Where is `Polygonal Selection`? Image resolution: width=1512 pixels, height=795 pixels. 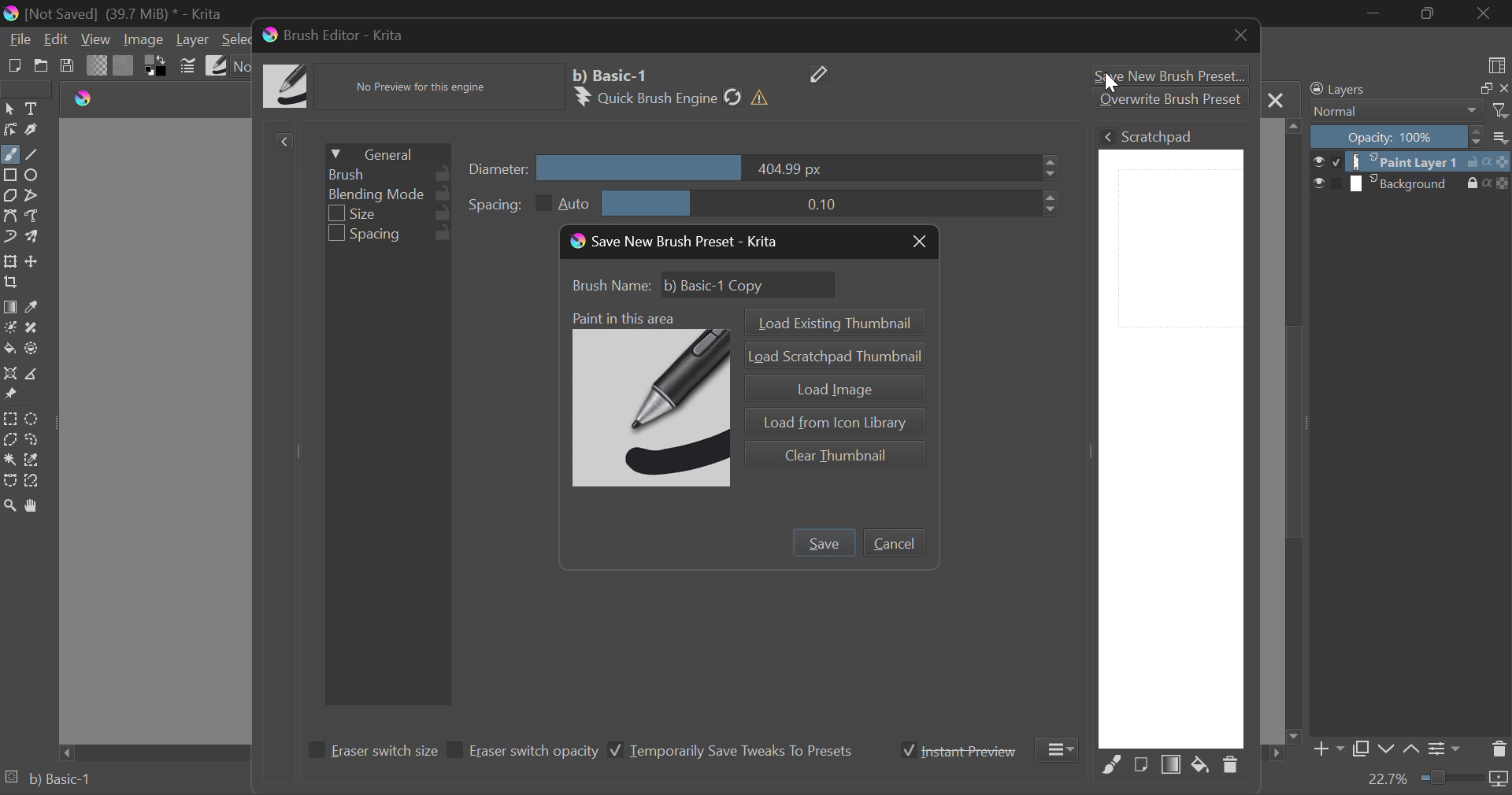 Polygonal Selection is located at coordinates (9, 439).